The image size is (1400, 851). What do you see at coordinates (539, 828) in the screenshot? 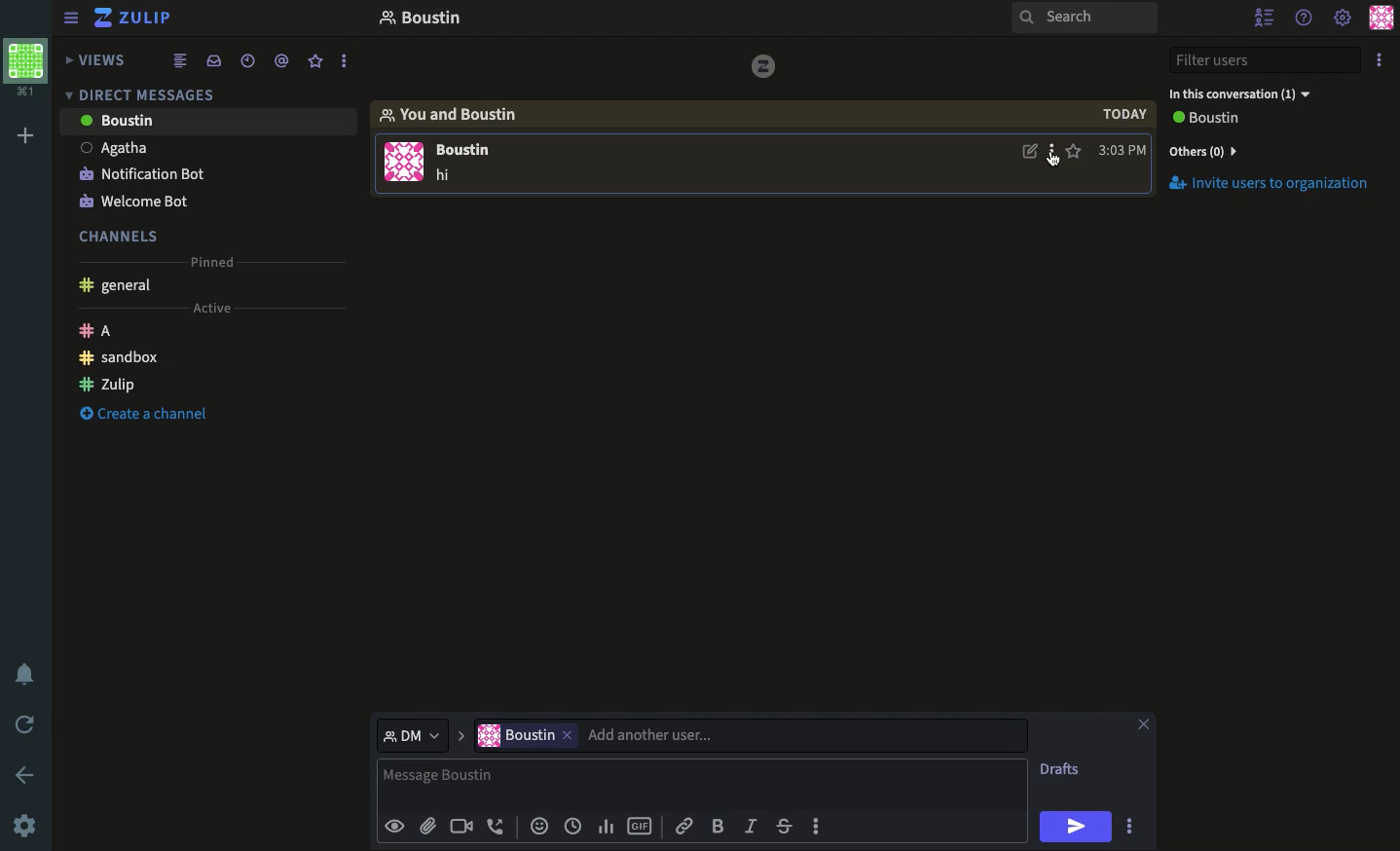
I see `Reaction` at bounding box center [539, 828].